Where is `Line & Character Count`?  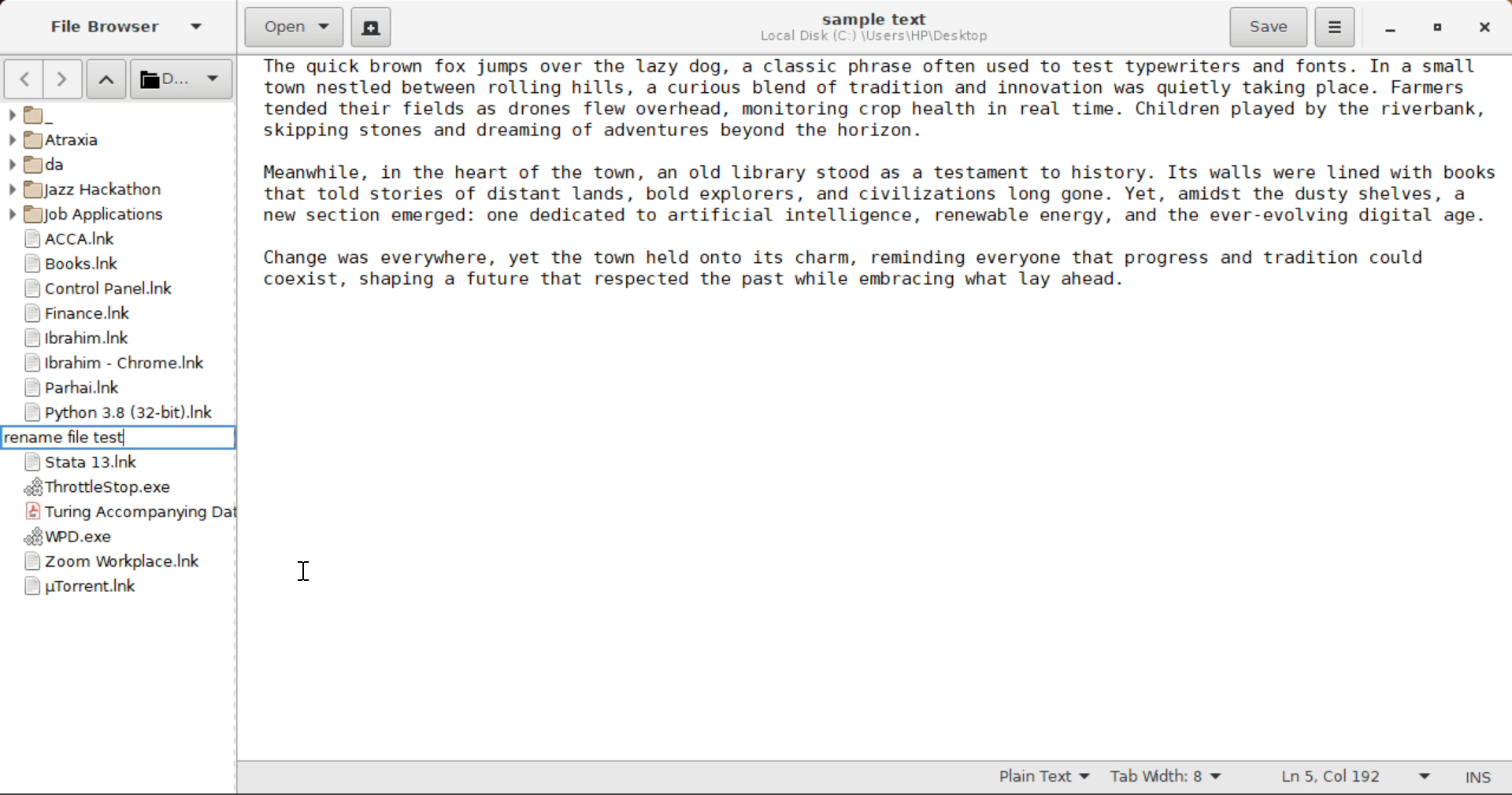 Line & Character Count is located at coordinates (1353, 778).